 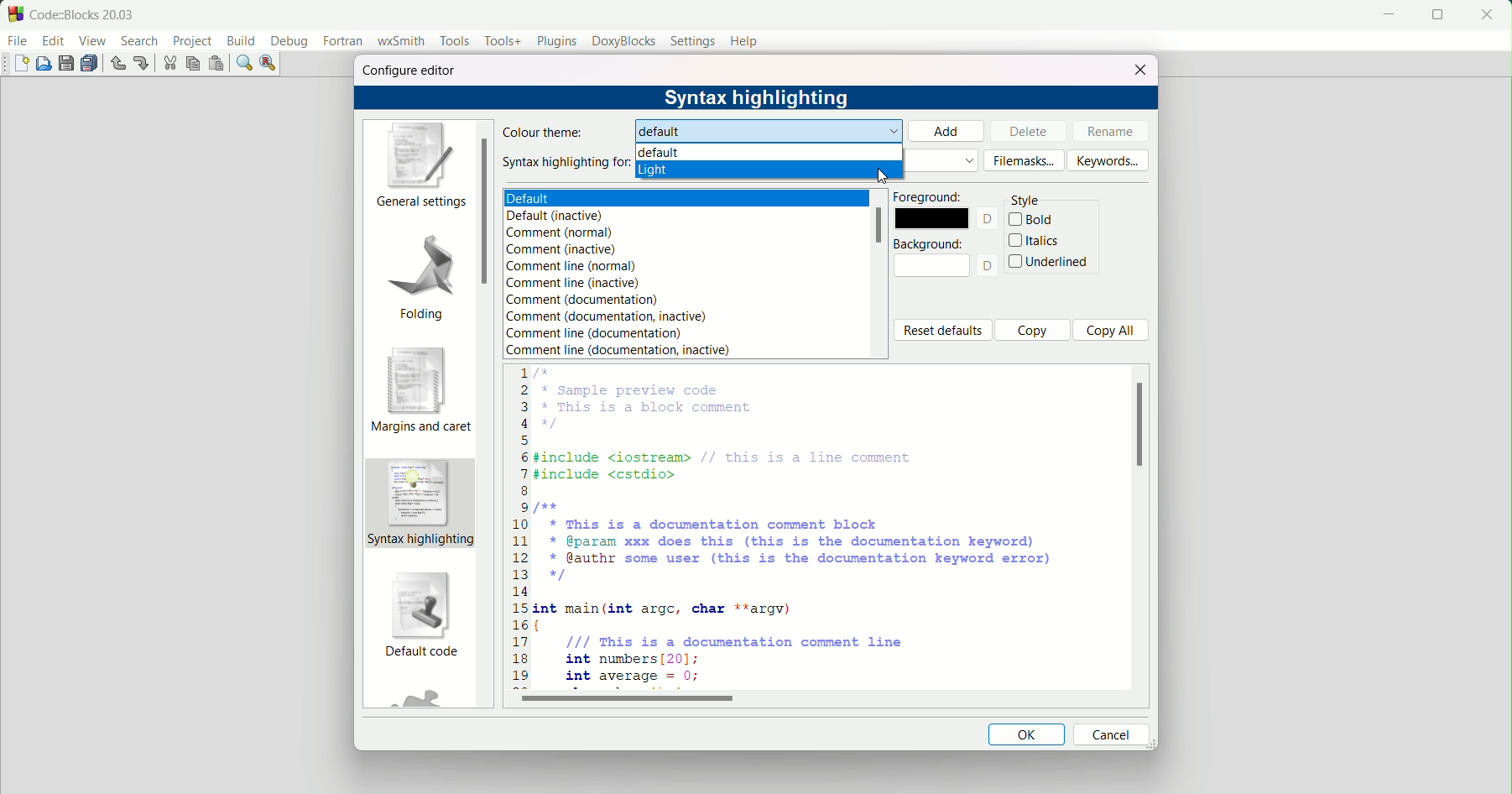 What do you see at coordinates (987, 220) in the screenshot?
I see `text` at bounding box center [987, 220].